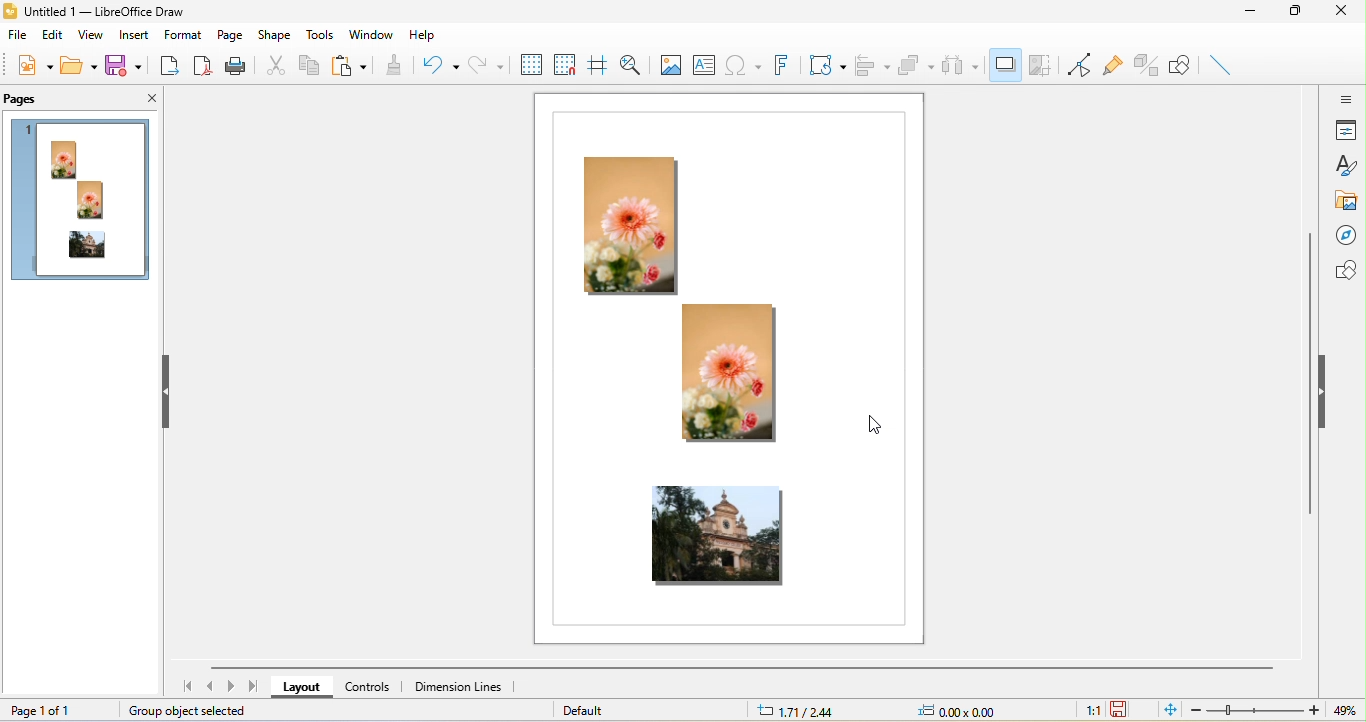 The height and width of the screenshot is (722, 1366). What do you see at coordinates (228, 35) in the screenshot?
I see `page` at bounding box center [228, 35].